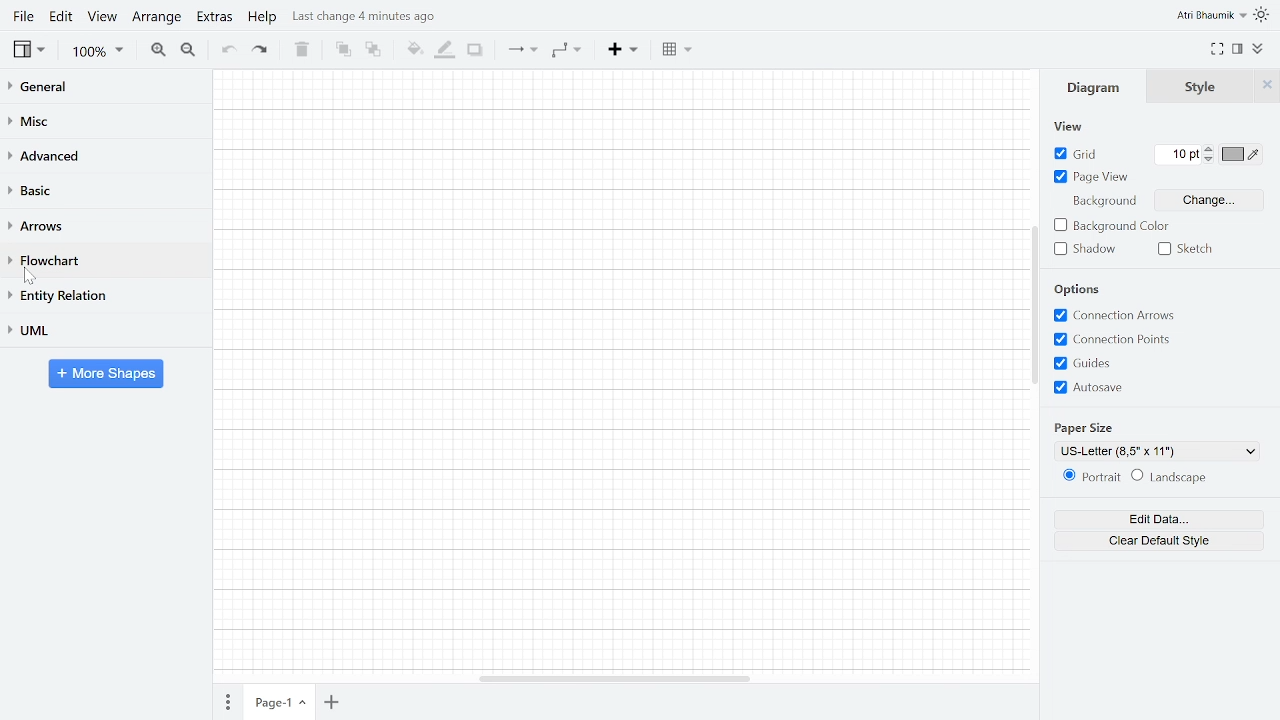 This screenshot has height=720, width=1280. What do you see at coordinates (97, 88) in the screenshot?
I see `General` at bounding box center [97, 88].